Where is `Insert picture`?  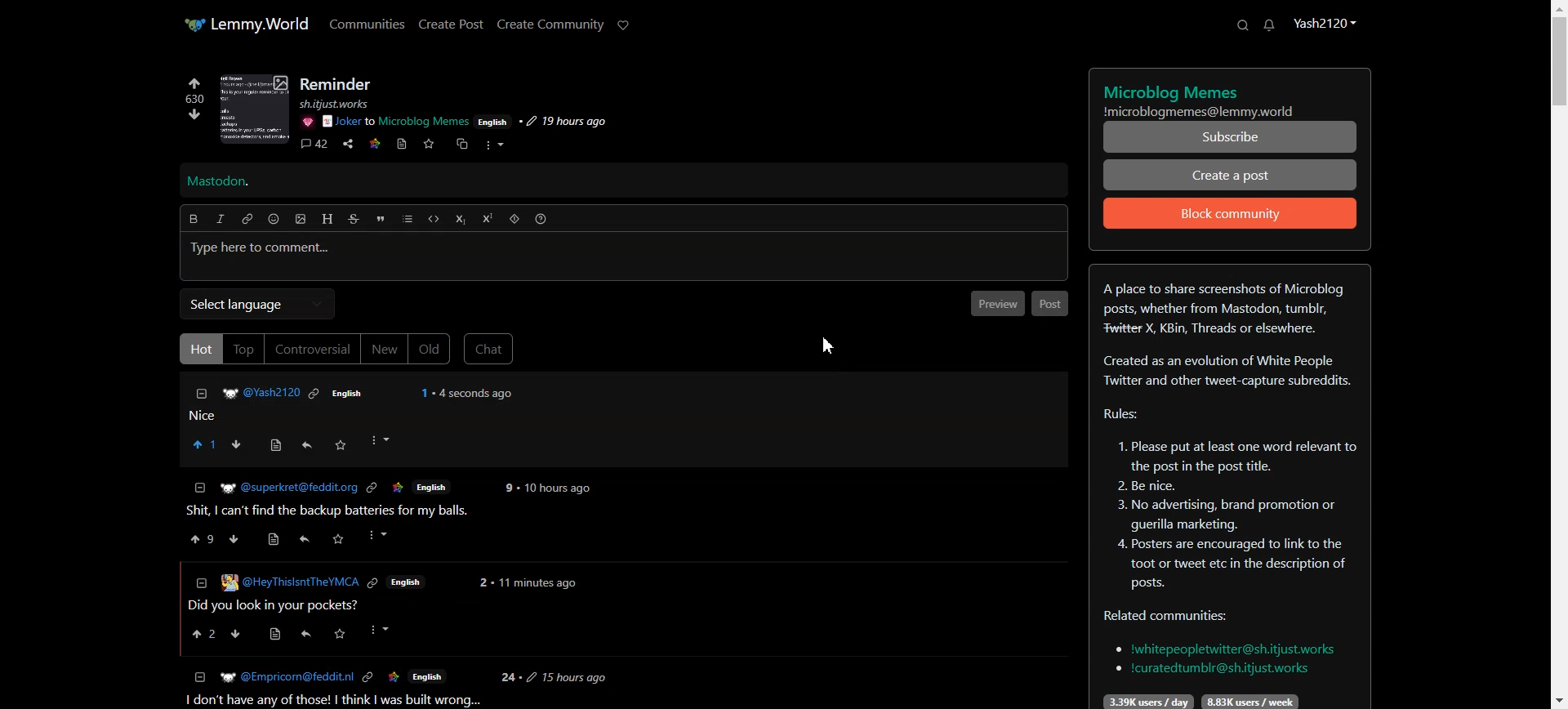 Insert picture is located at coordinates (301, 220).